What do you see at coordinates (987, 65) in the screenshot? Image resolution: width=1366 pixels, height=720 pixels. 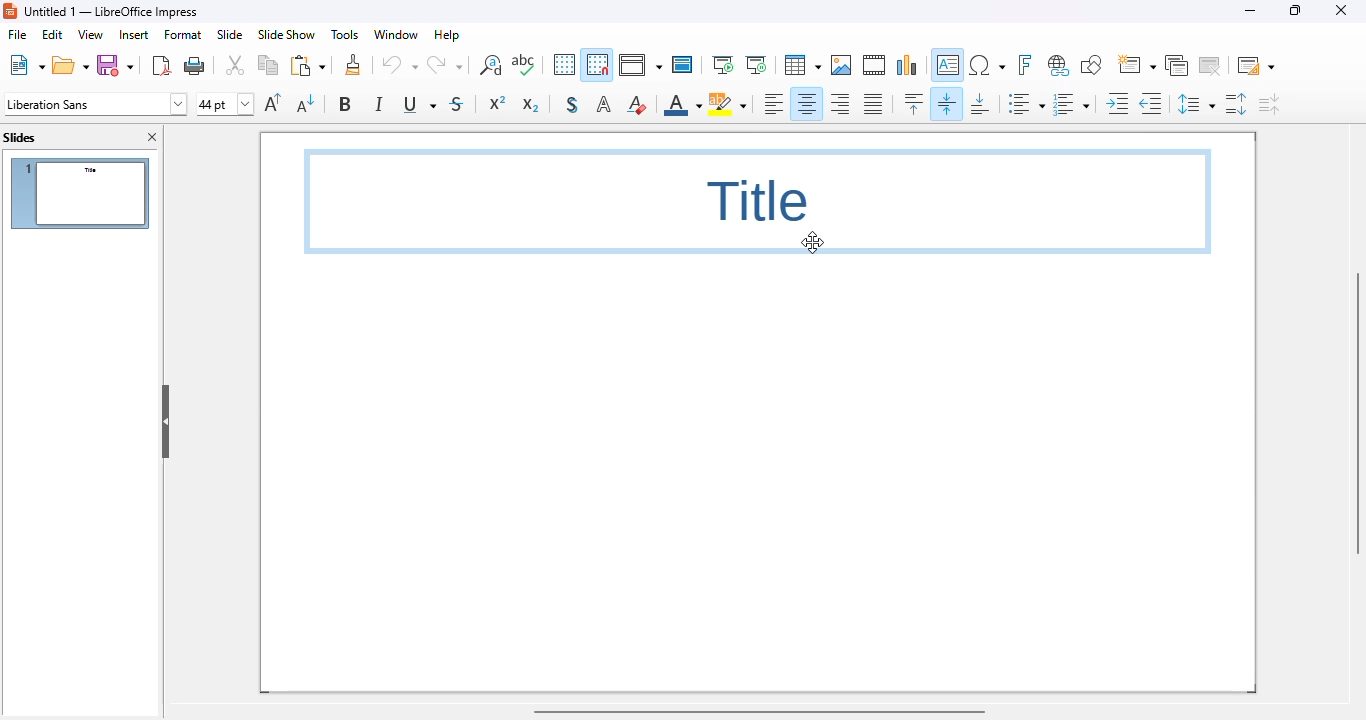 I see `insert special characters` at bounding box center [987, 65].